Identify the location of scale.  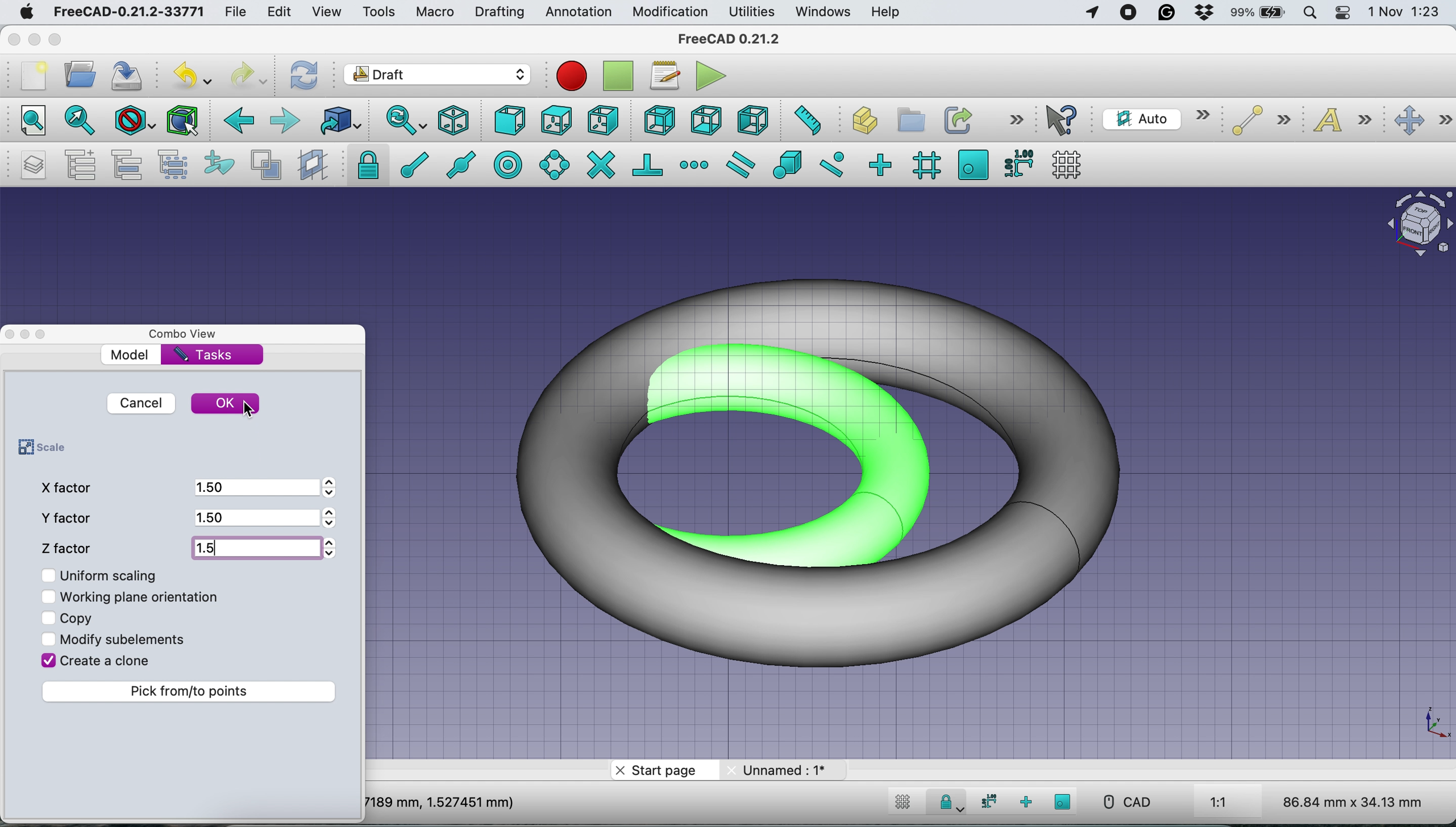
(39, 448).